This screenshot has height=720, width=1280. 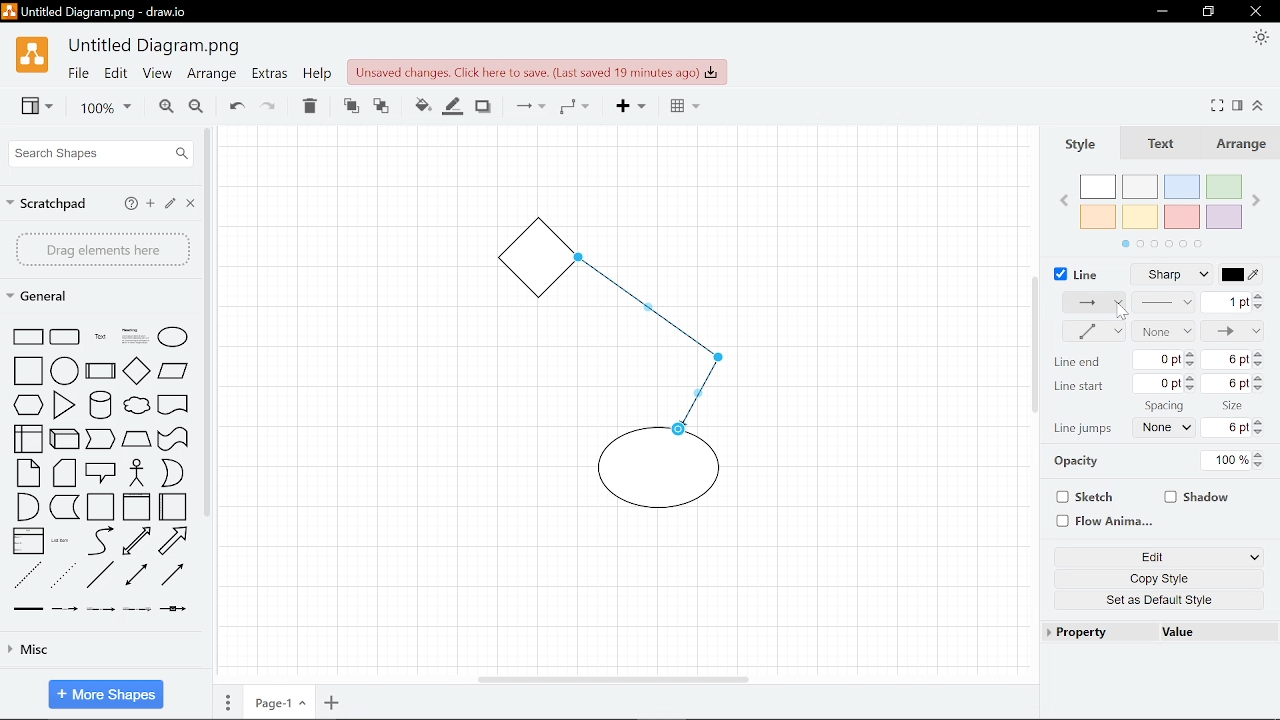 What do you see at coordinates (1179, 634) in the screenshot?
I see `Value` at bounding box center [1179, 634].